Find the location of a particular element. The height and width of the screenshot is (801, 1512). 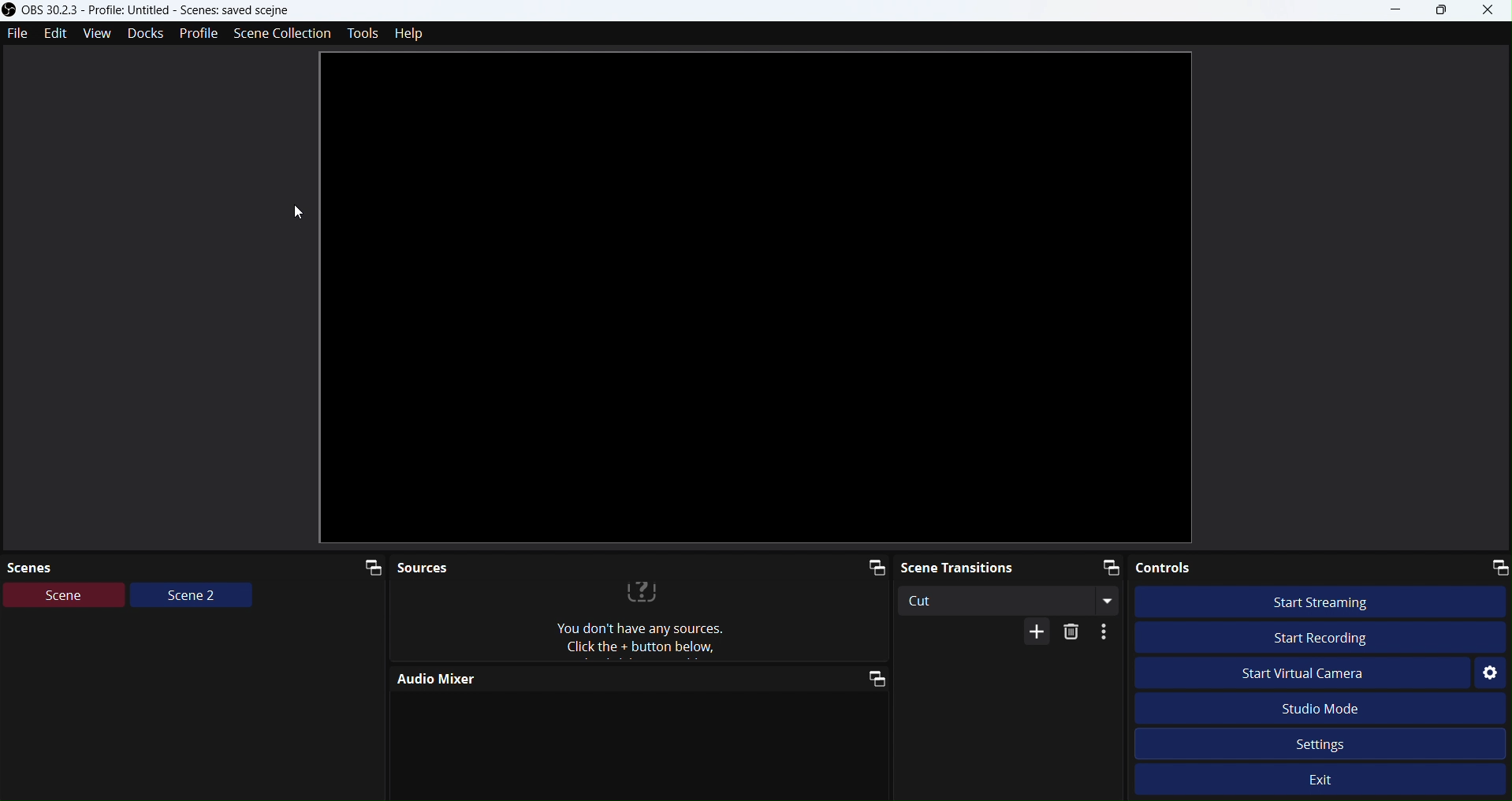

Start Recording is located at coordinates (1320, 638).